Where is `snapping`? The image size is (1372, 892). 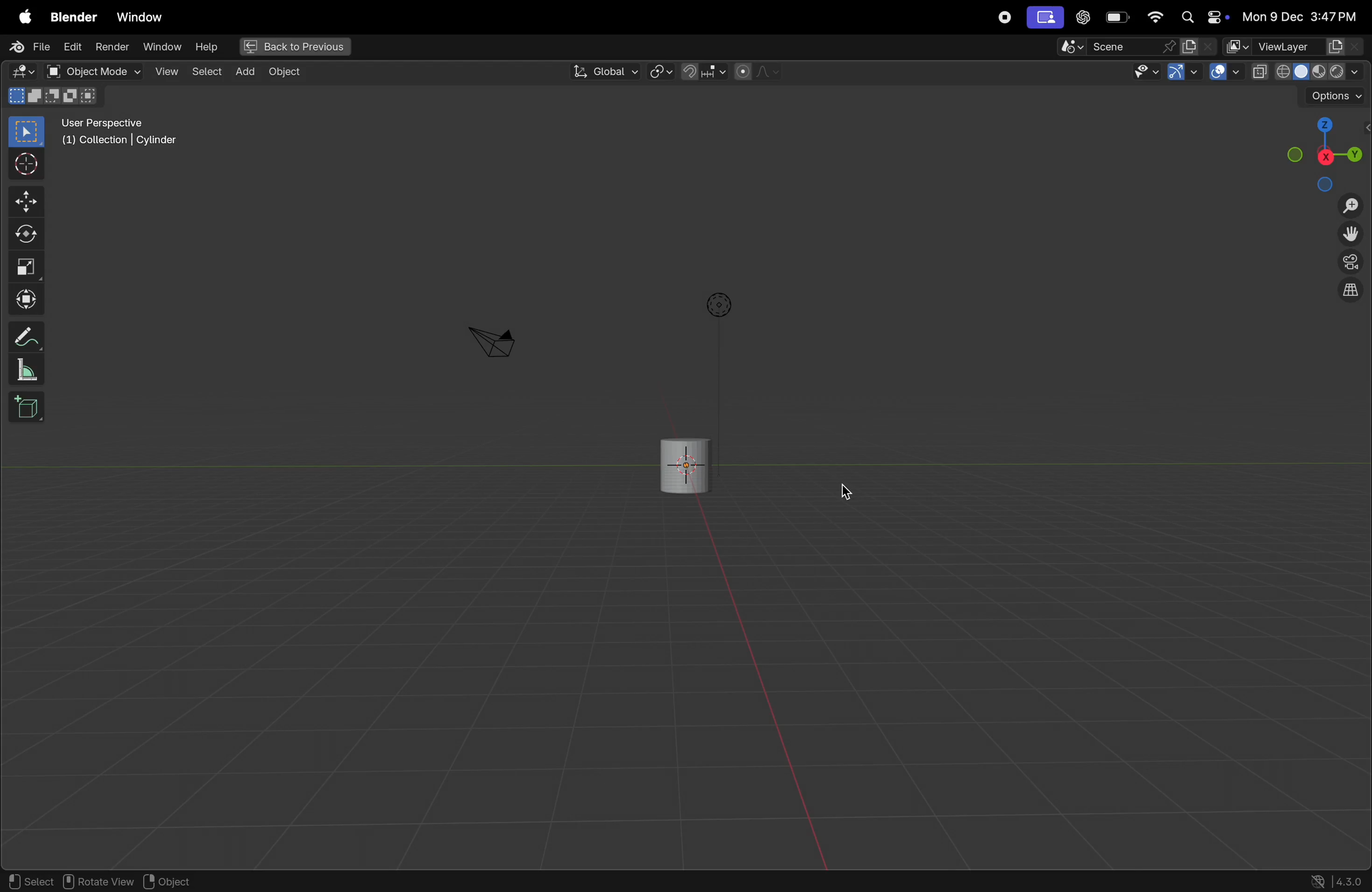
snapping is located at coordinates (703, 71).